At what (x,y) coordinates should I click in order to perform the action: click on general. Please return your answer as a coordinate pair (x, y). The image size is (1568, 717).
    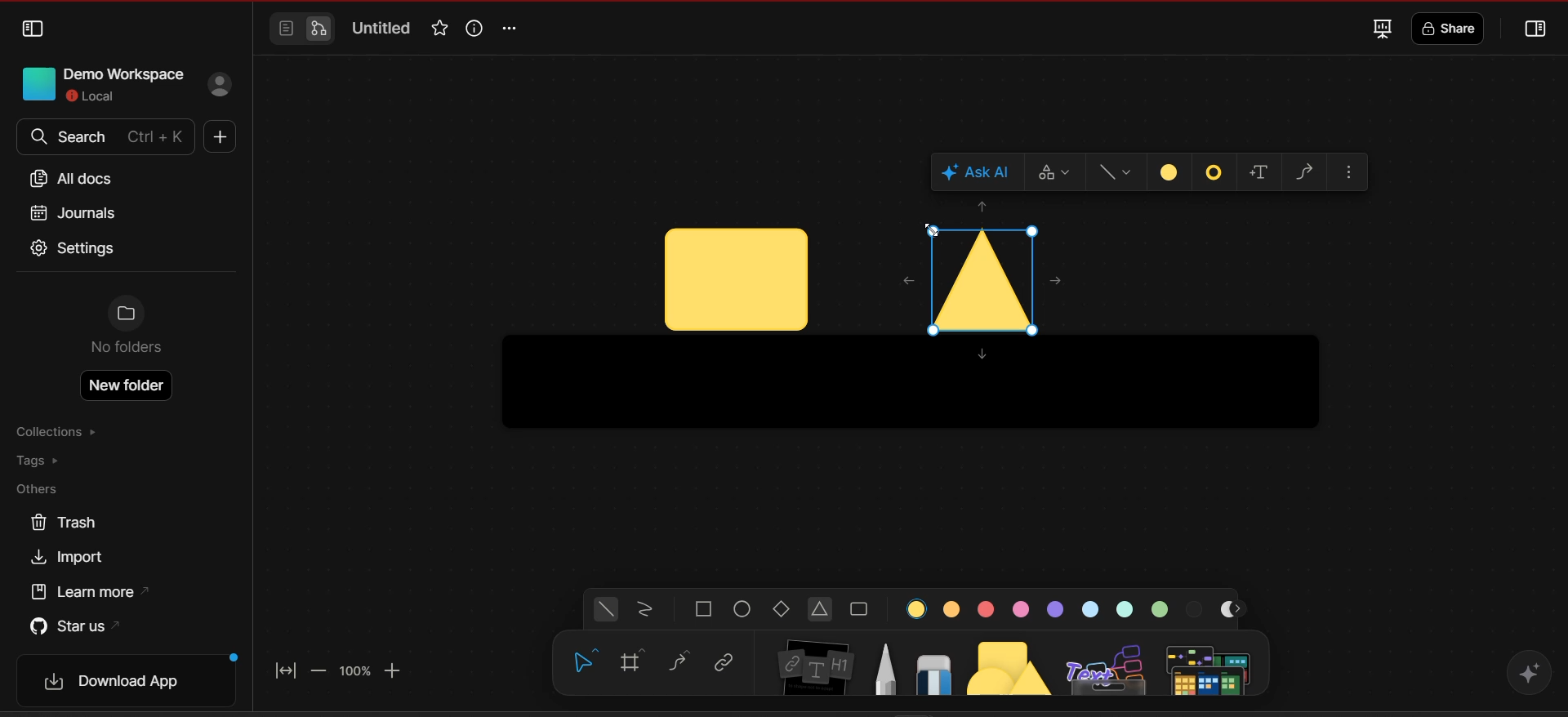
    Looking at the image, I should click on (607, 610).